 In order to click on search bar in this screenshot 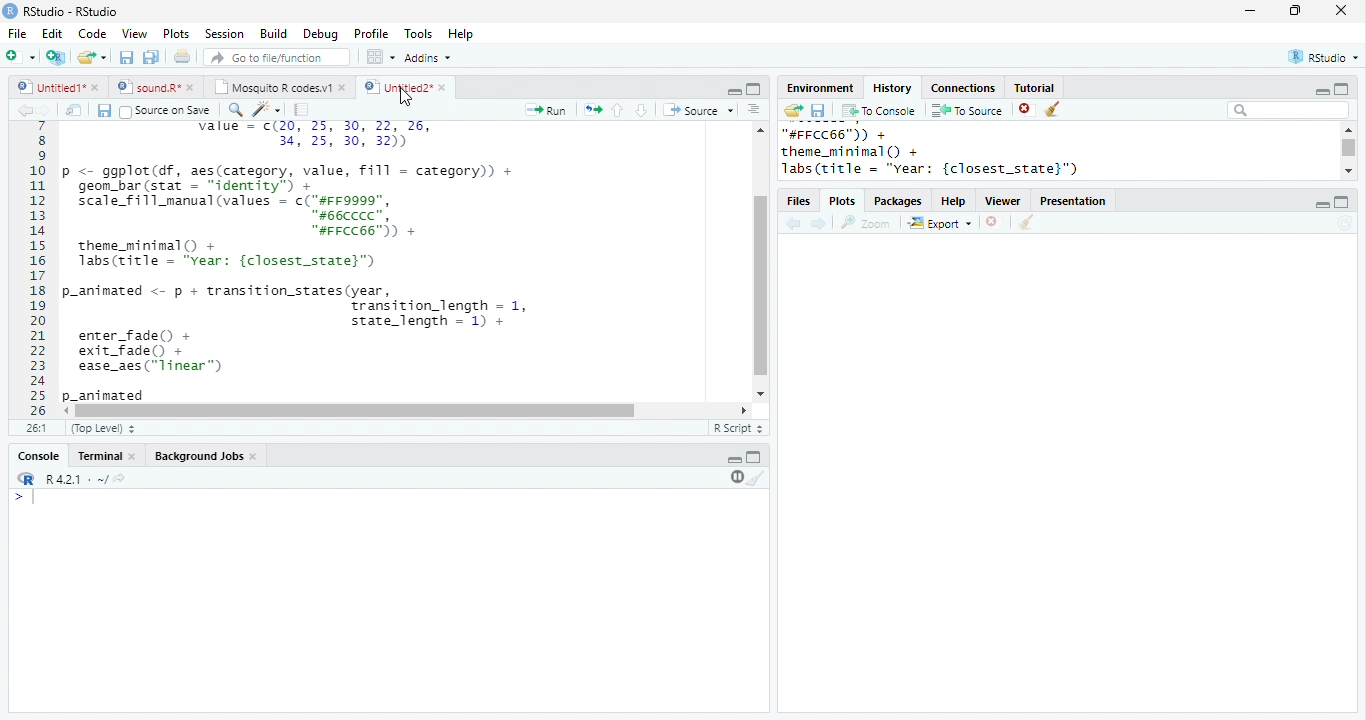, I will do `click(1288, 110)`.